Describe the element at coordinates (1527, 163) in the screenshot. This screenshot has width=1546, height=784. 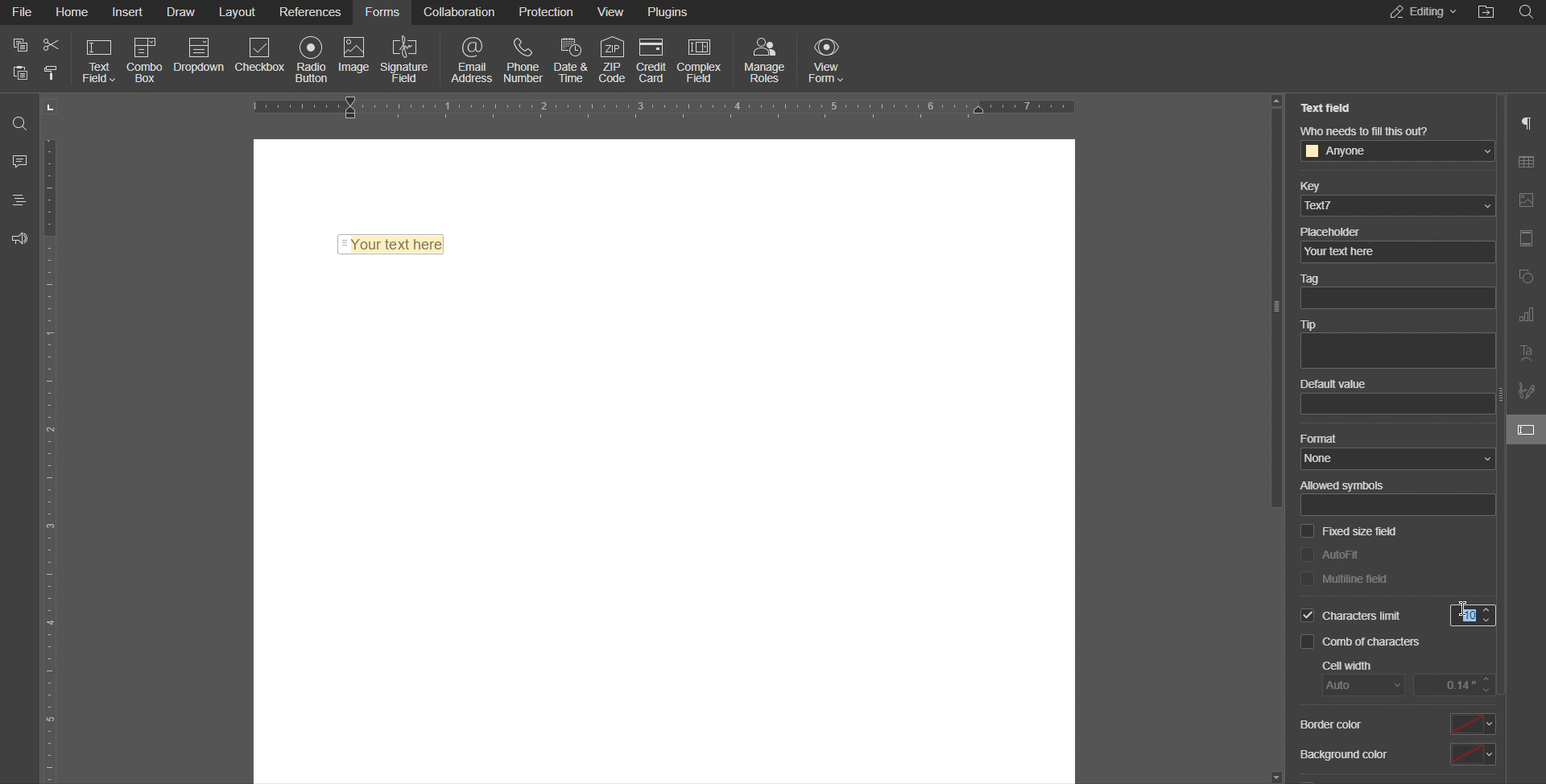
I see `Table Settings` at that location.